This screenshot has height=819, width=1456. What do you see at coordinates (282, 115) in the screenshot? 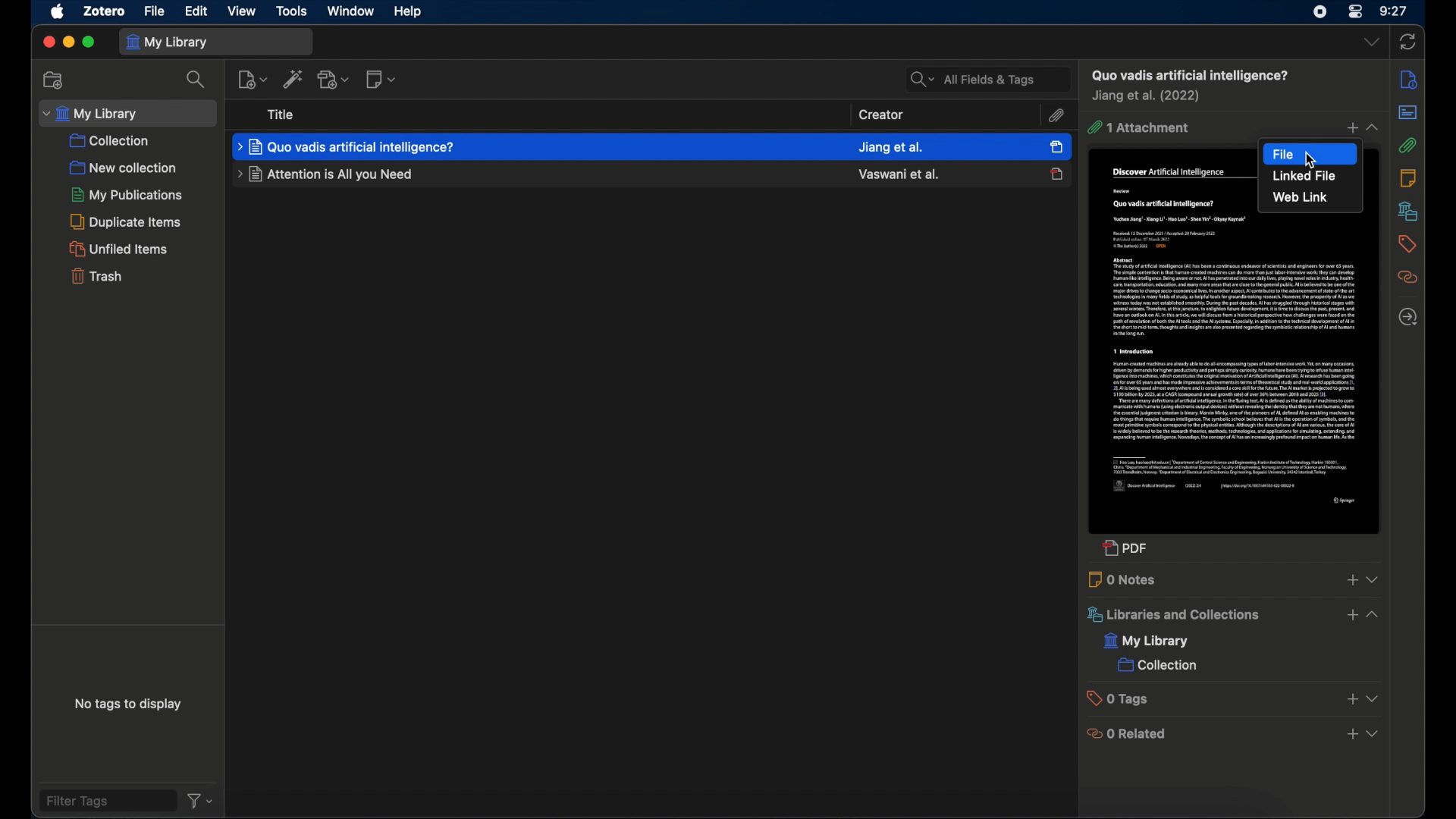
I see `title` at bounding box center [282, 115].